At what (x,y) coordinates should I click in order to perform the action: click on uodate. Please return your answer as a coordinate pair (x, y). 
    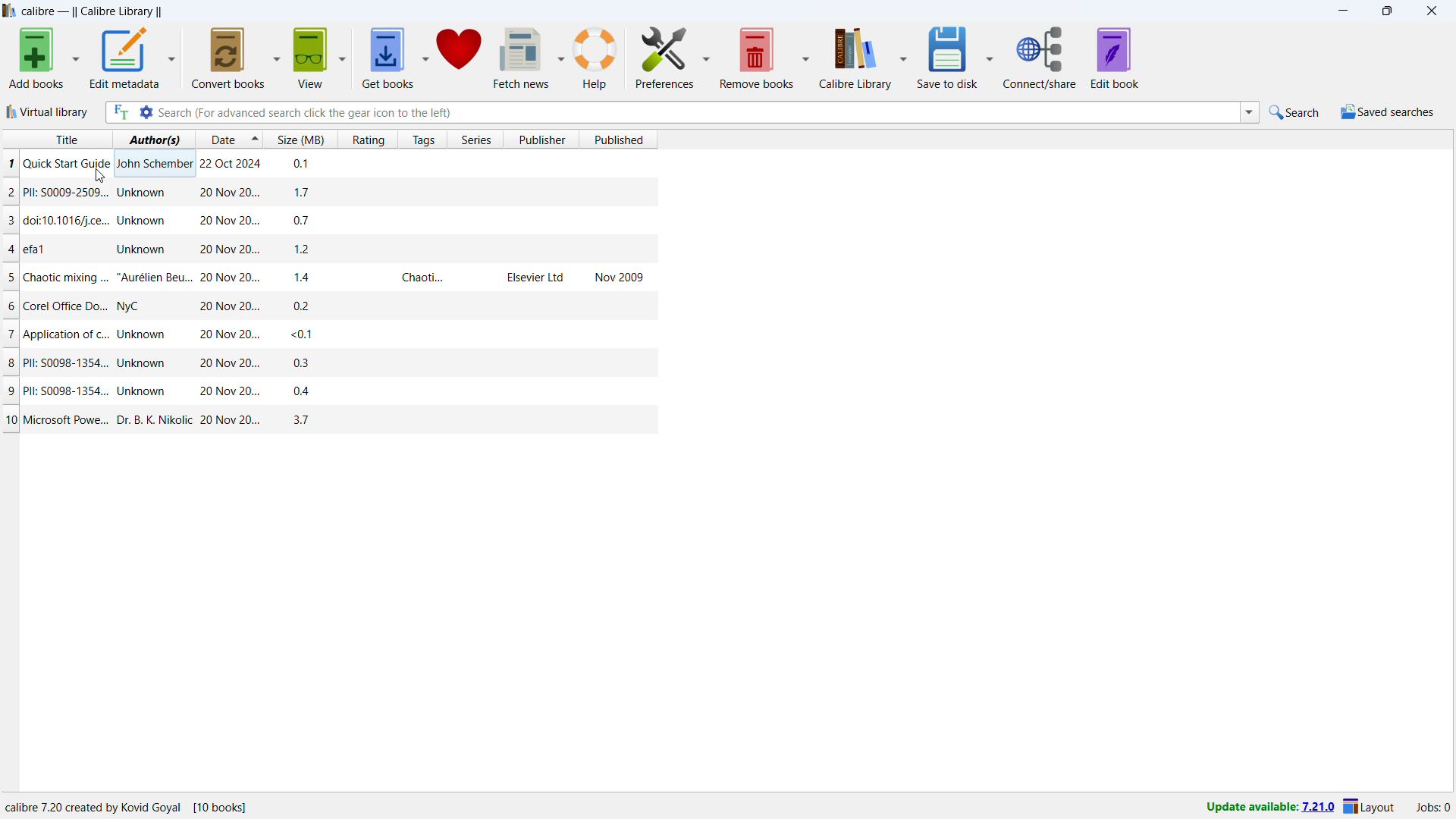
    Looking at the image, I should click on (1267, 808).